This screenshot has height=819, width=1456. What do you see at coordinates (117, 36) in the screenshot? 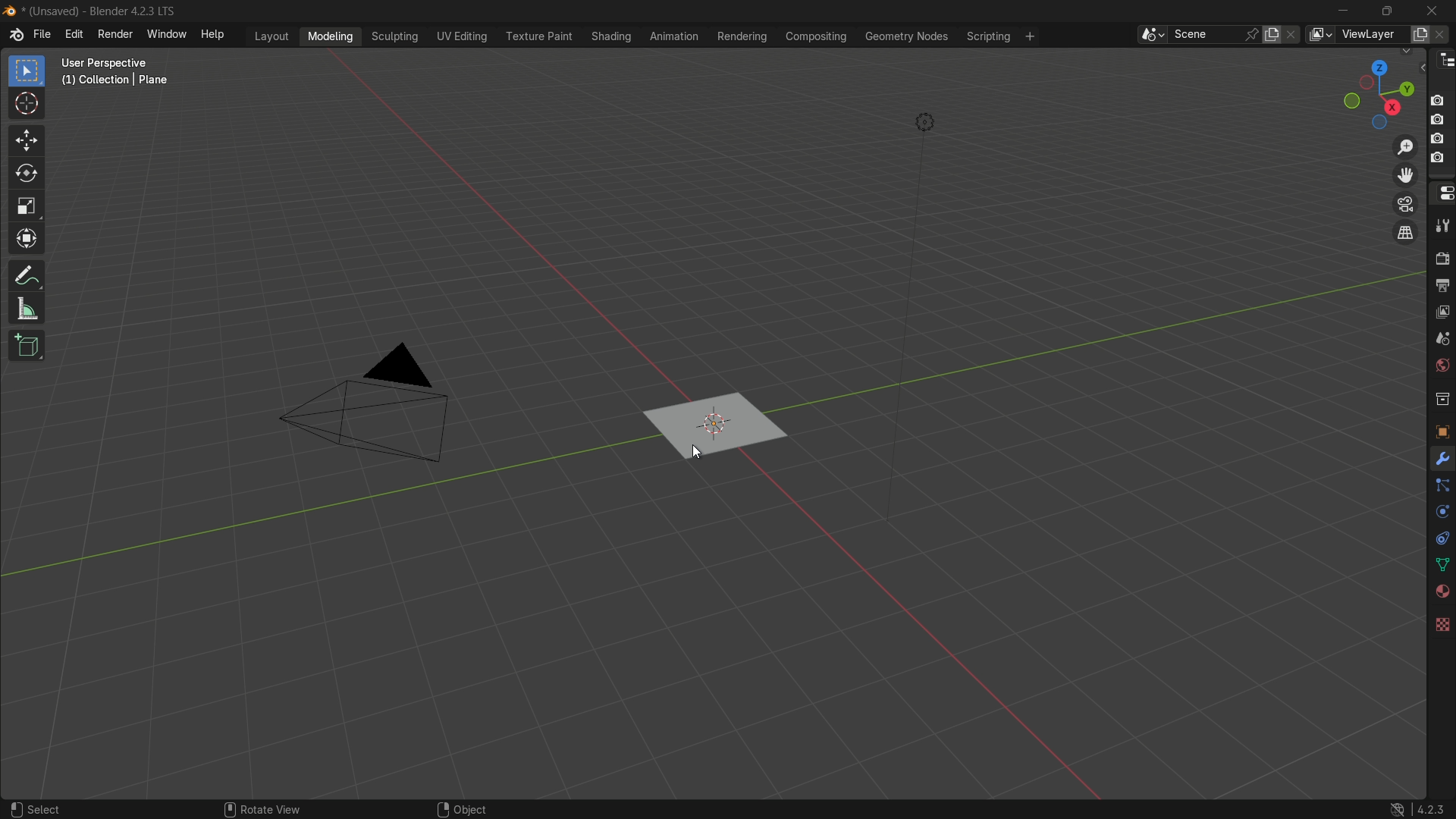
I see `render menu` at bounding box center [117, 36].